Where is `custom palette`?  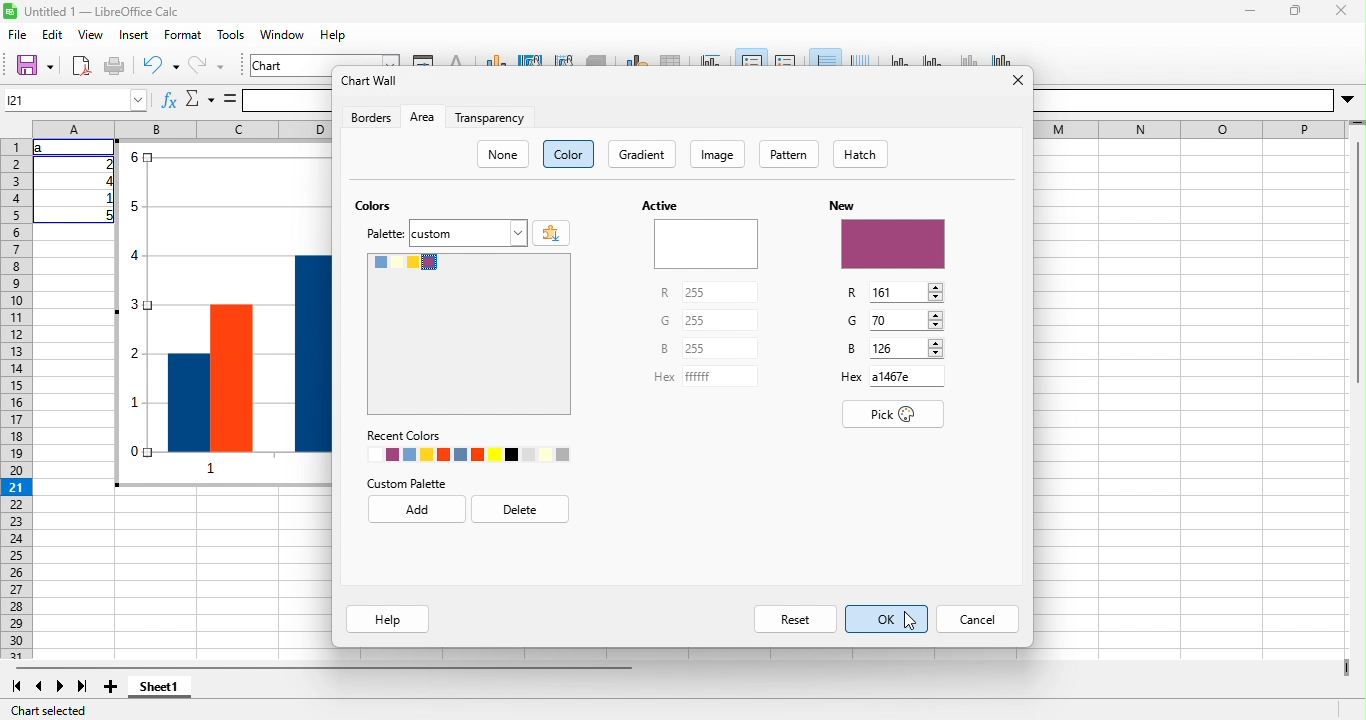
custom palette is located at coordinates (406, 484).